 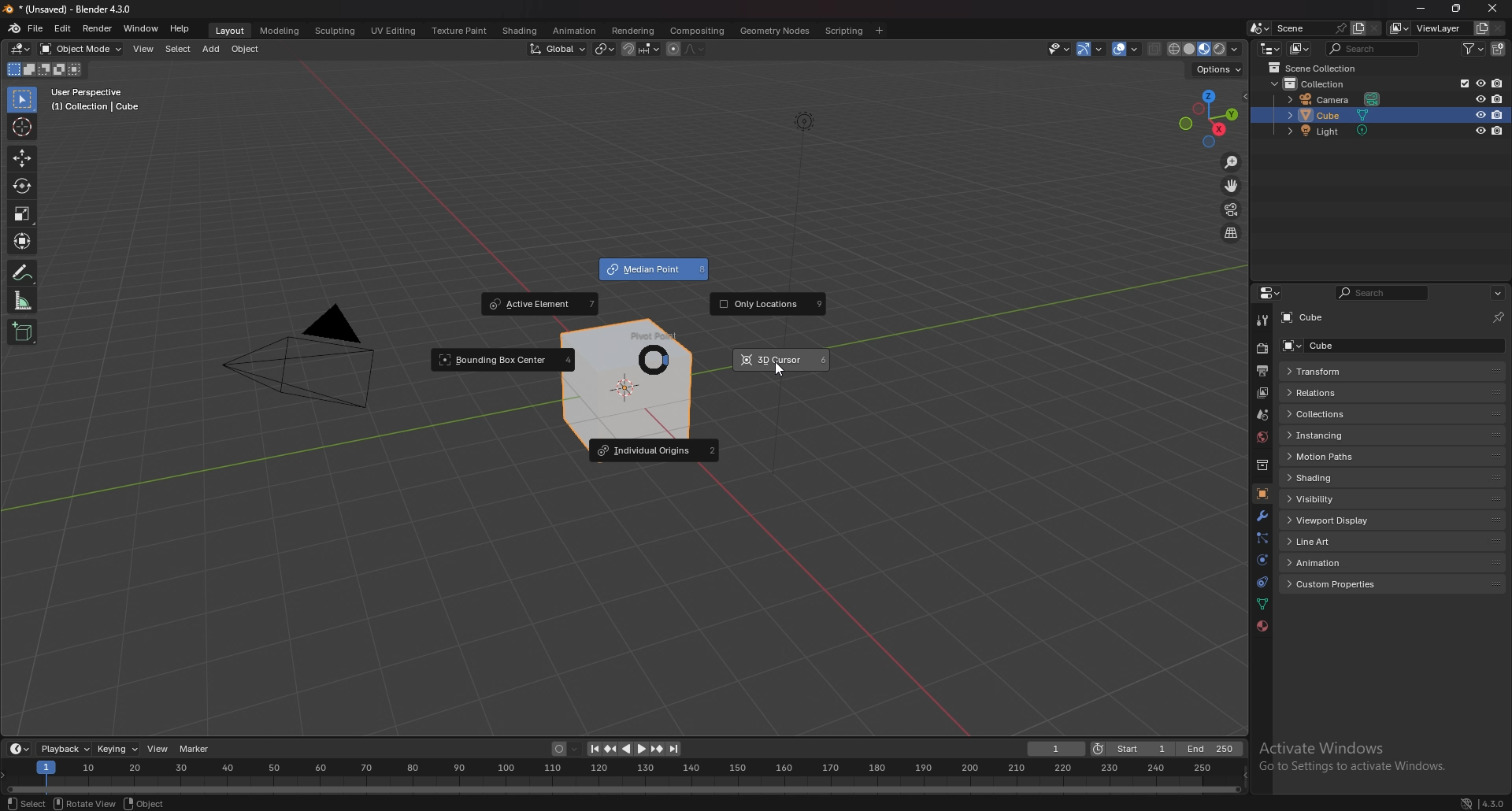 What do you see at coordinates (1268, 293) in the screenshot?
I see `editor type` at bounding box center [1268, 293].